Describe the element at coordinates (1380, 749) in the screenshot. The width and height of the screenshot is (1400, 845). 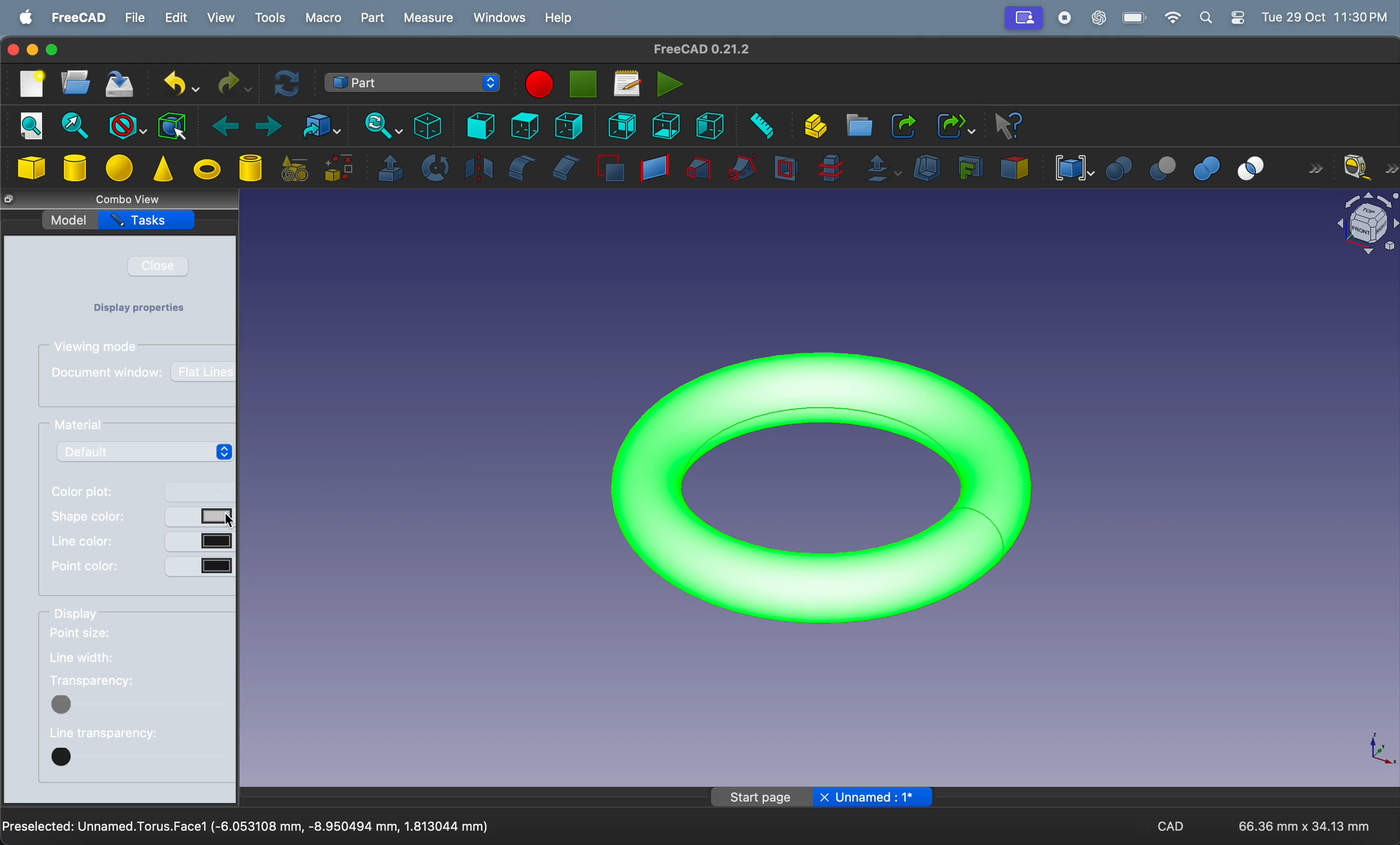
I see `axis` at that location.